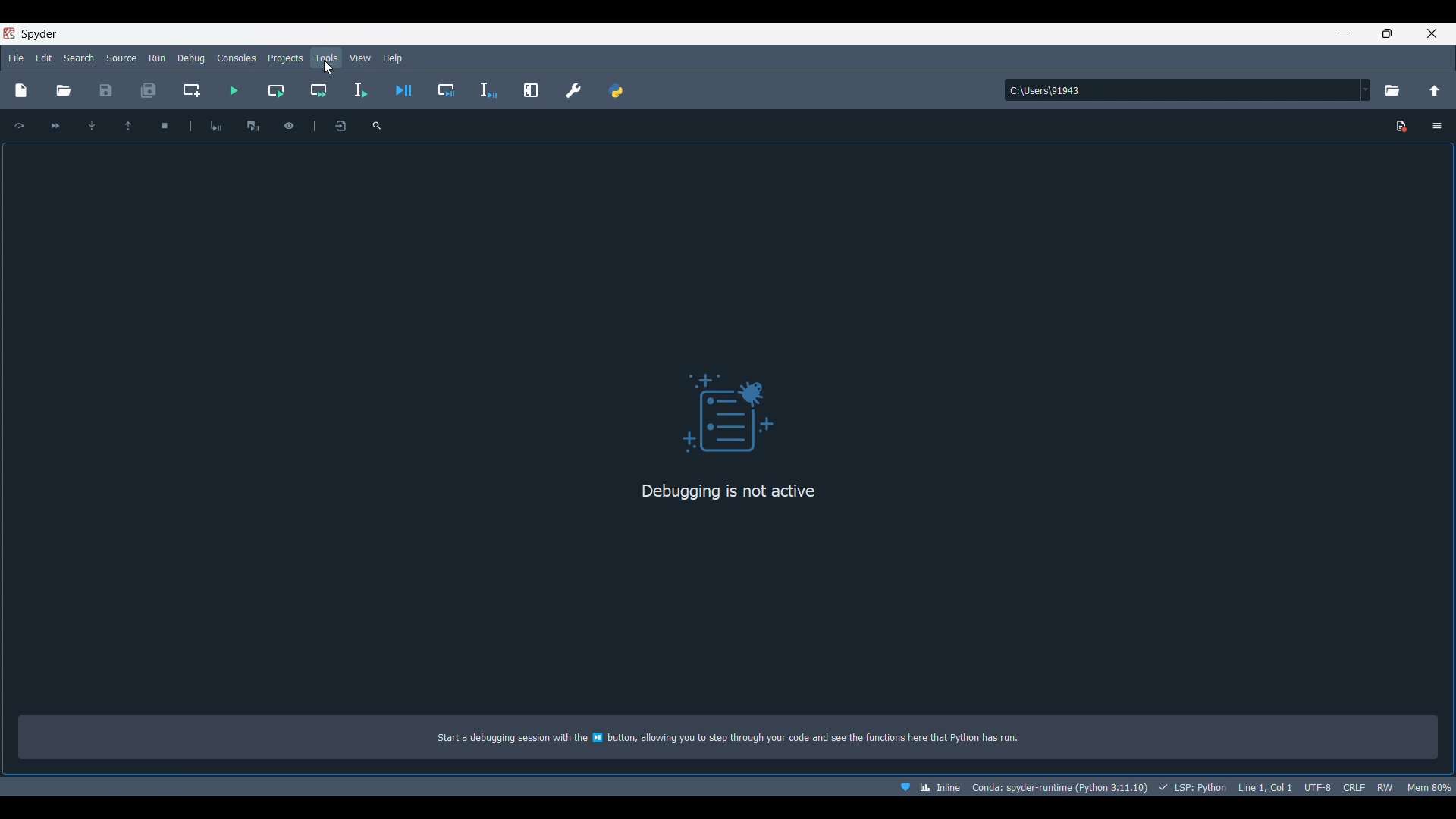 Image resolution: width=1456 pixels, height=819 pixels. Describe the element at coordinates (128, 124) in the screenshot. I see `move up` at that location.